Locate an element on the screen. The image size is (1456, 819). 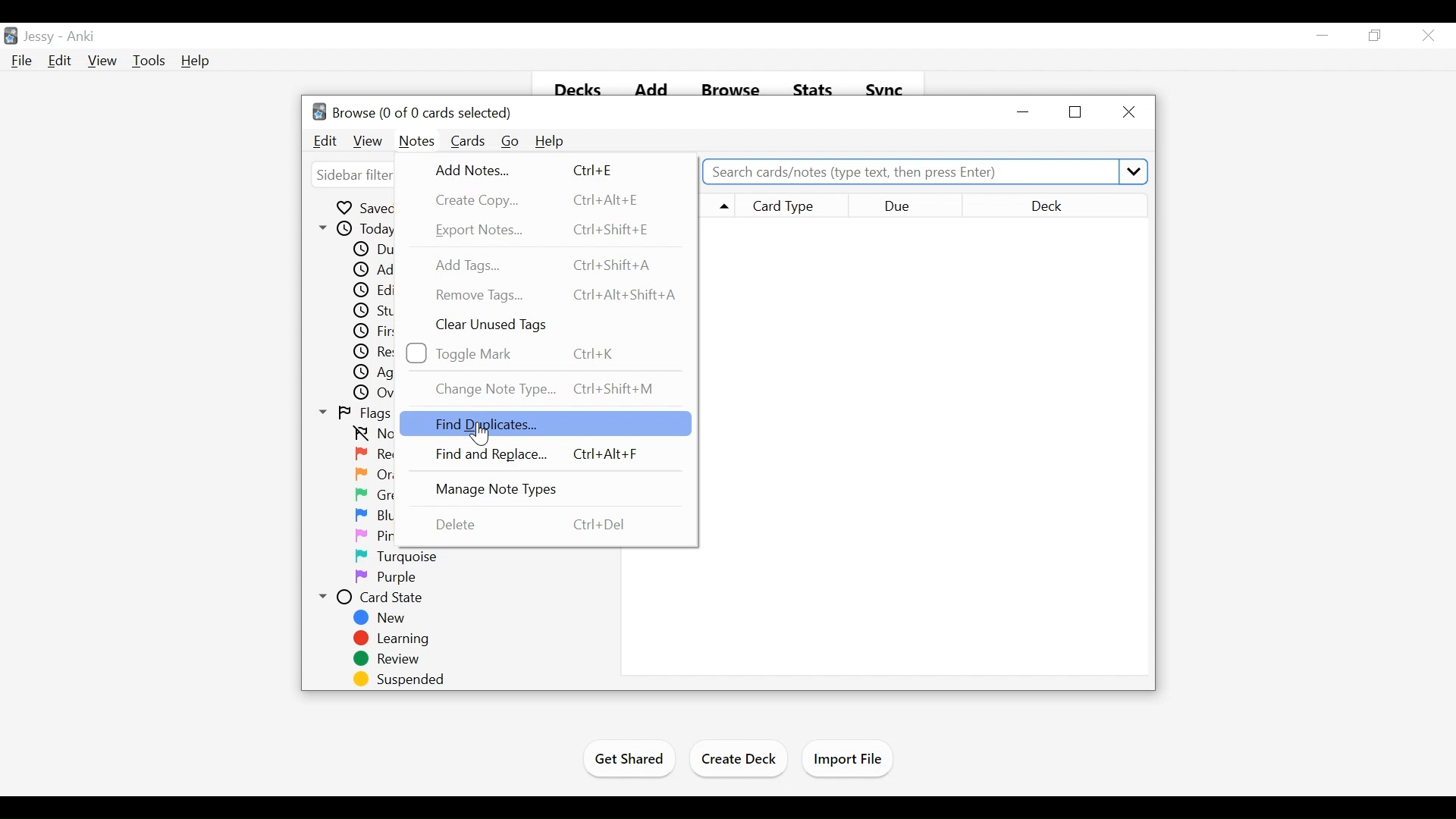
Due is located at coordinates (907, 205).